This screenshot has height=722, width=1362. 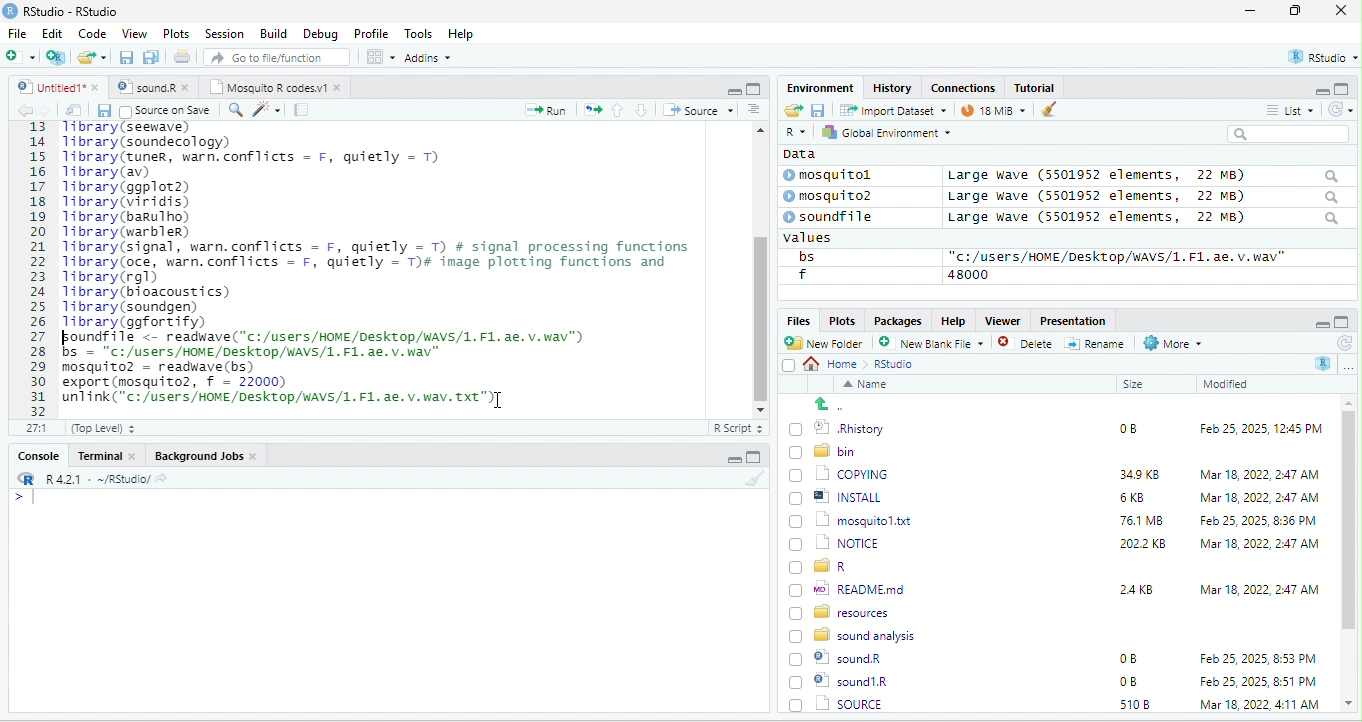 I want to click on maximize, so click(x=1299, y=12).